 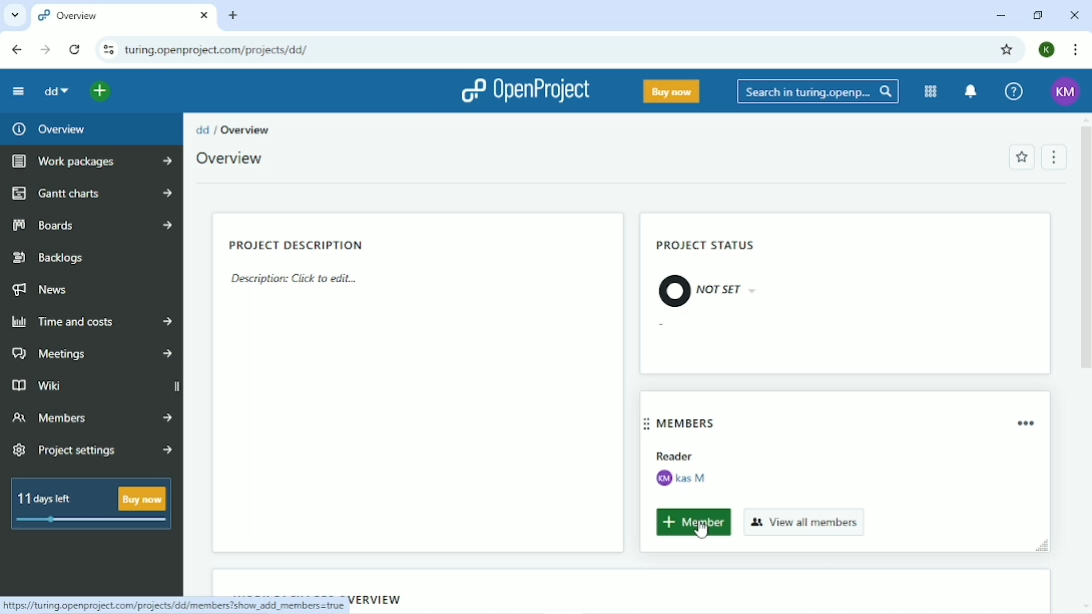 What do you see at coordinates (301, 245) in the screenshot?
I see `Project description` at bounding box center [301, 245].